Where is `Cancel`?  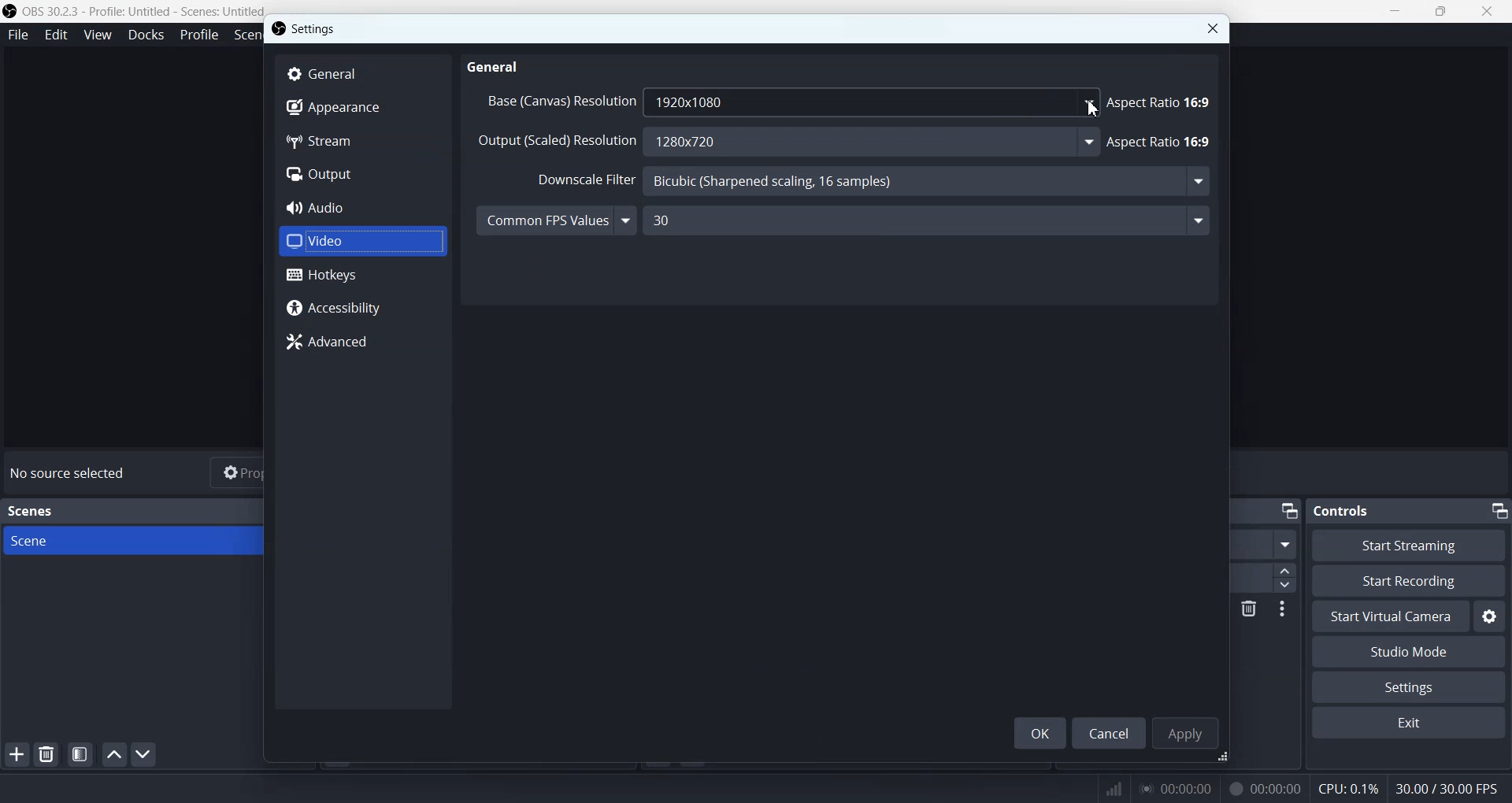
Cancel is located at coordinates (1110, 732).